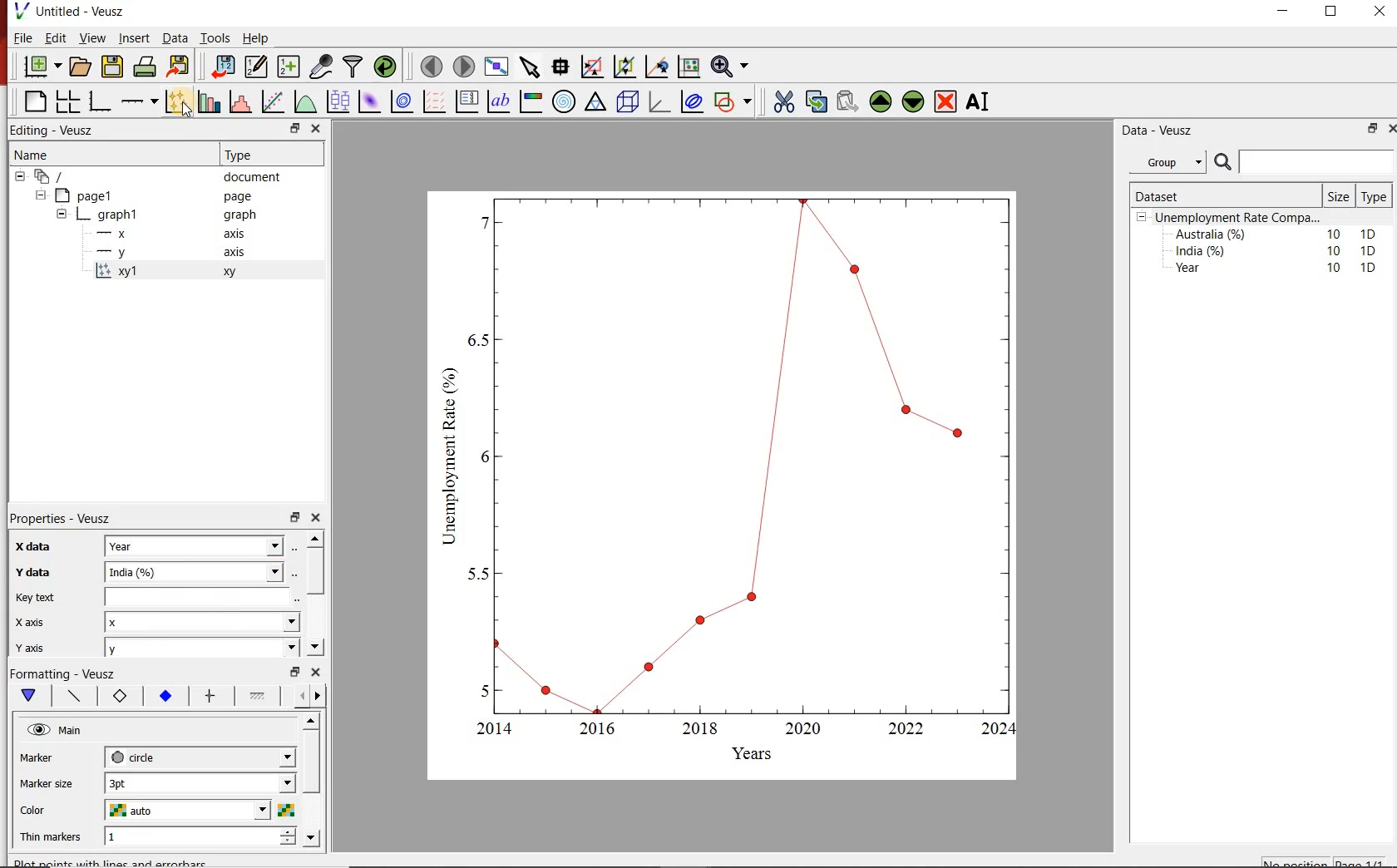 The width and height of the screenshot is (1397, 868). What do you see at coordinates (595, 101) in the screenshot?
I see `ternary graph` at bounding box center [595, 101].